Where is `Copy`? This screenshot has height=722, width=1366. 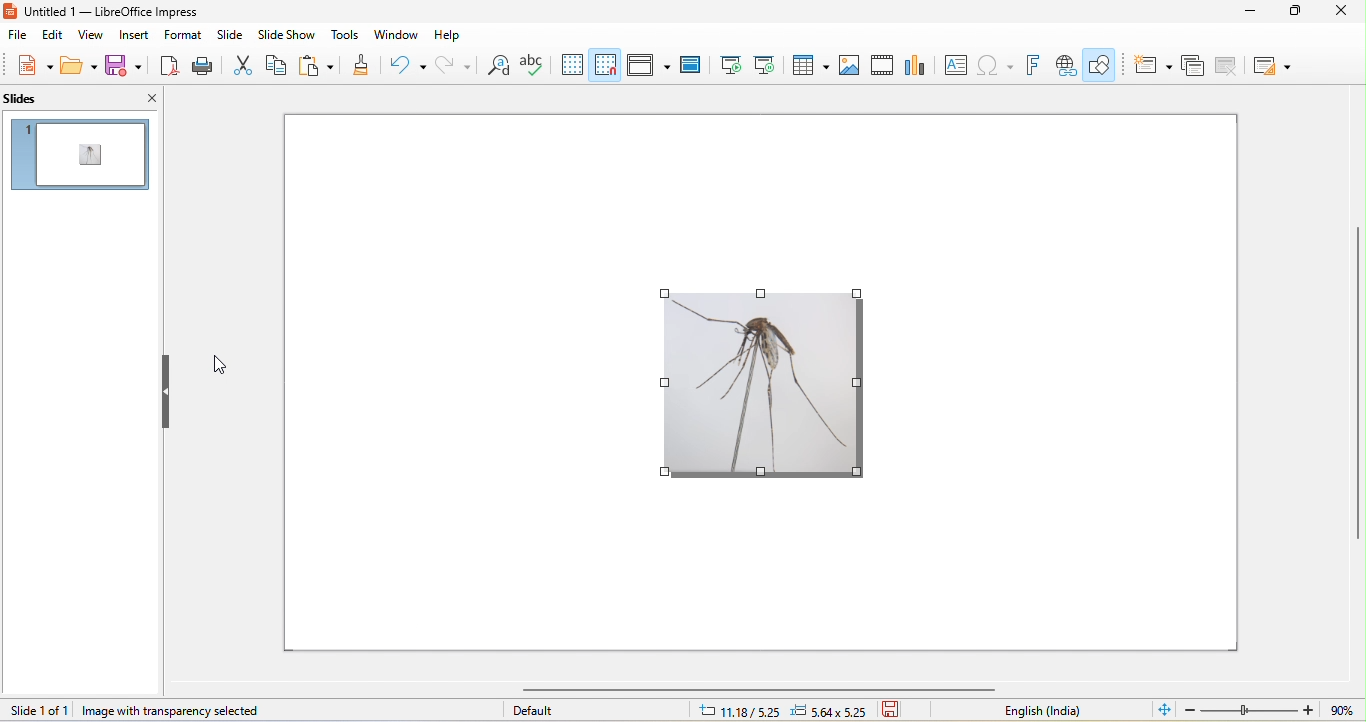 Copy is located at coordinates (275, 66).